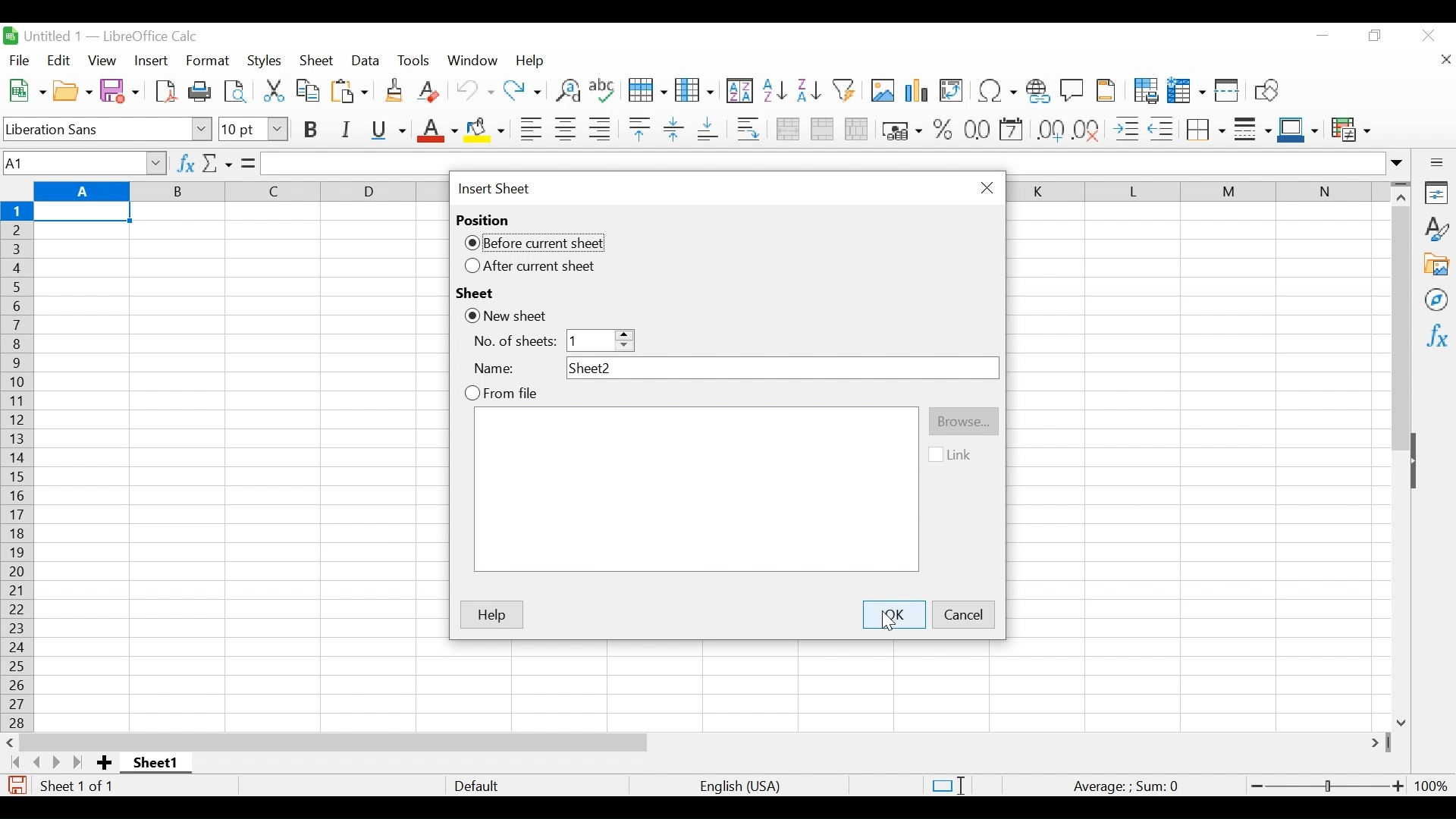 The image size is (1456, 819). Describe the element at coordinates (844, 91) in the screenshot. I see `Autofilter` at that location.